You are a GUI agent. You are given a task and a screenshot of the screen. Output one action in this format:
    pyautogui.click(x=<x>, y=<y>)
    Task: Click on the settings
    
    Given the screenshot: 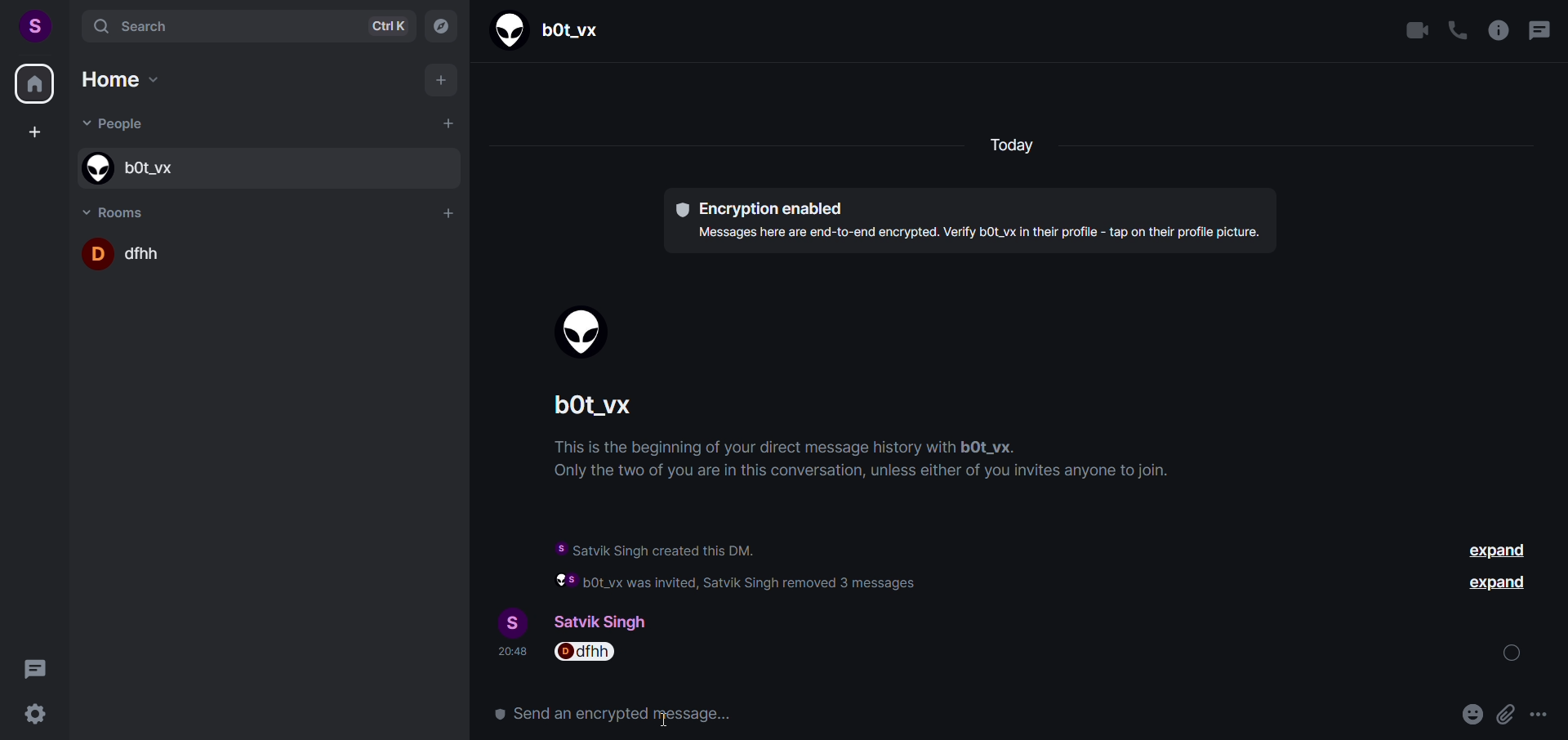 What is the action you would take?
    pyautogui.click(x=38, y=715)
    